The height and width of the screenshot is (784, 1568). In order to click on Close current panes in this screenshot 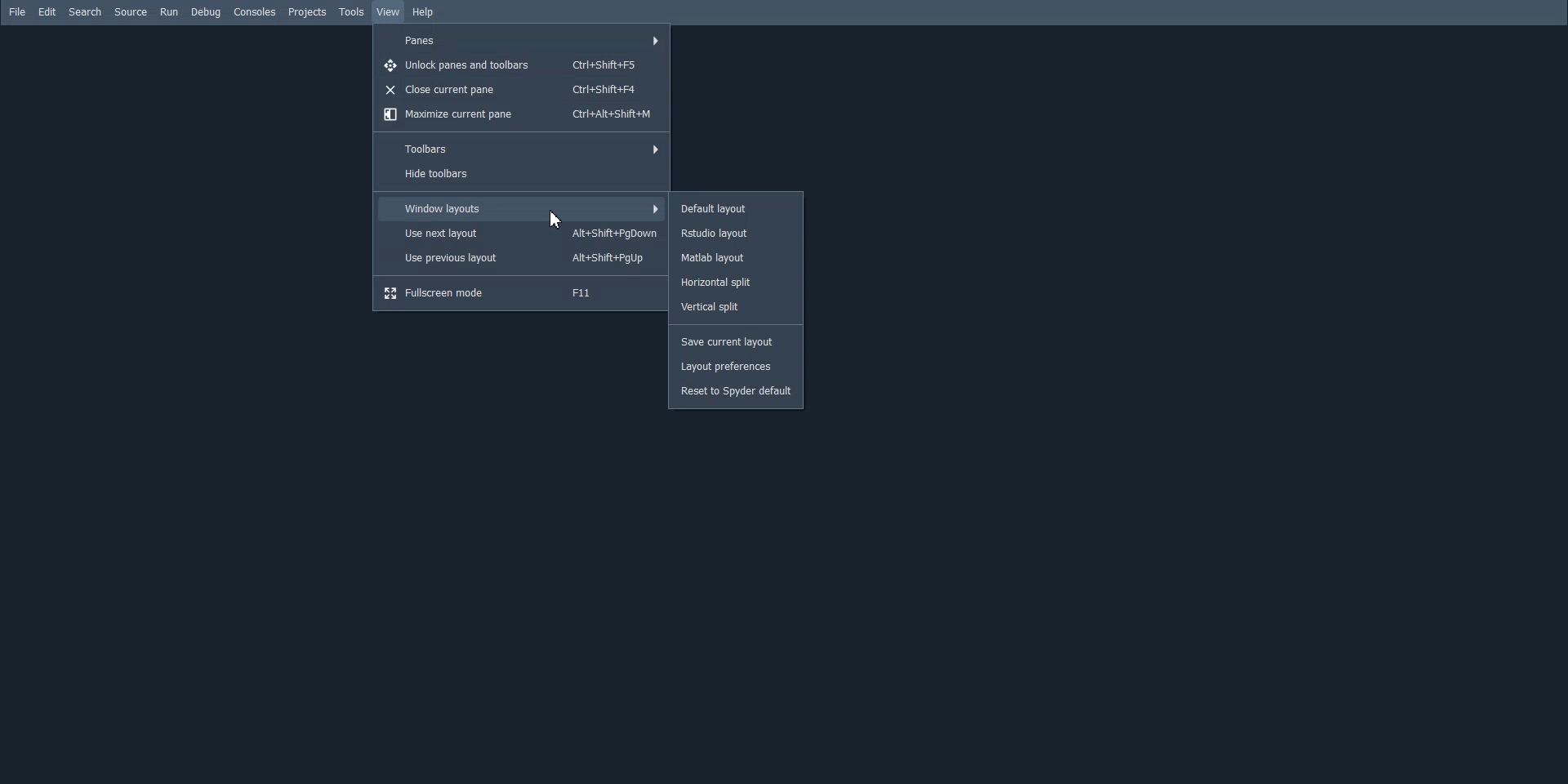, I will do `click(519, 90)`.